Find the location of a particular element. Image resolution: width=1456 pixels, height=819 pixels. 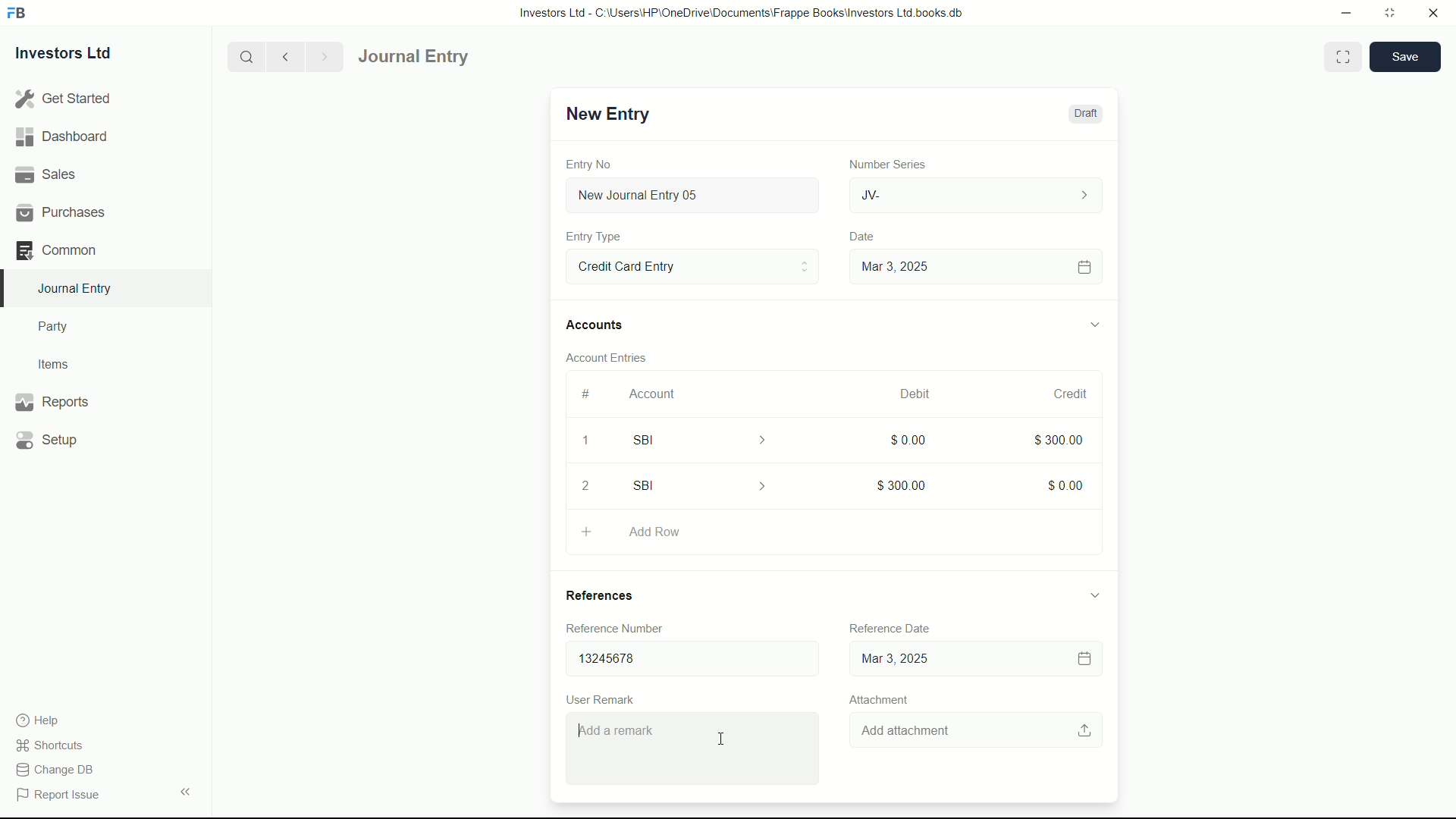

13245678 is located at coordinates (686, 655).